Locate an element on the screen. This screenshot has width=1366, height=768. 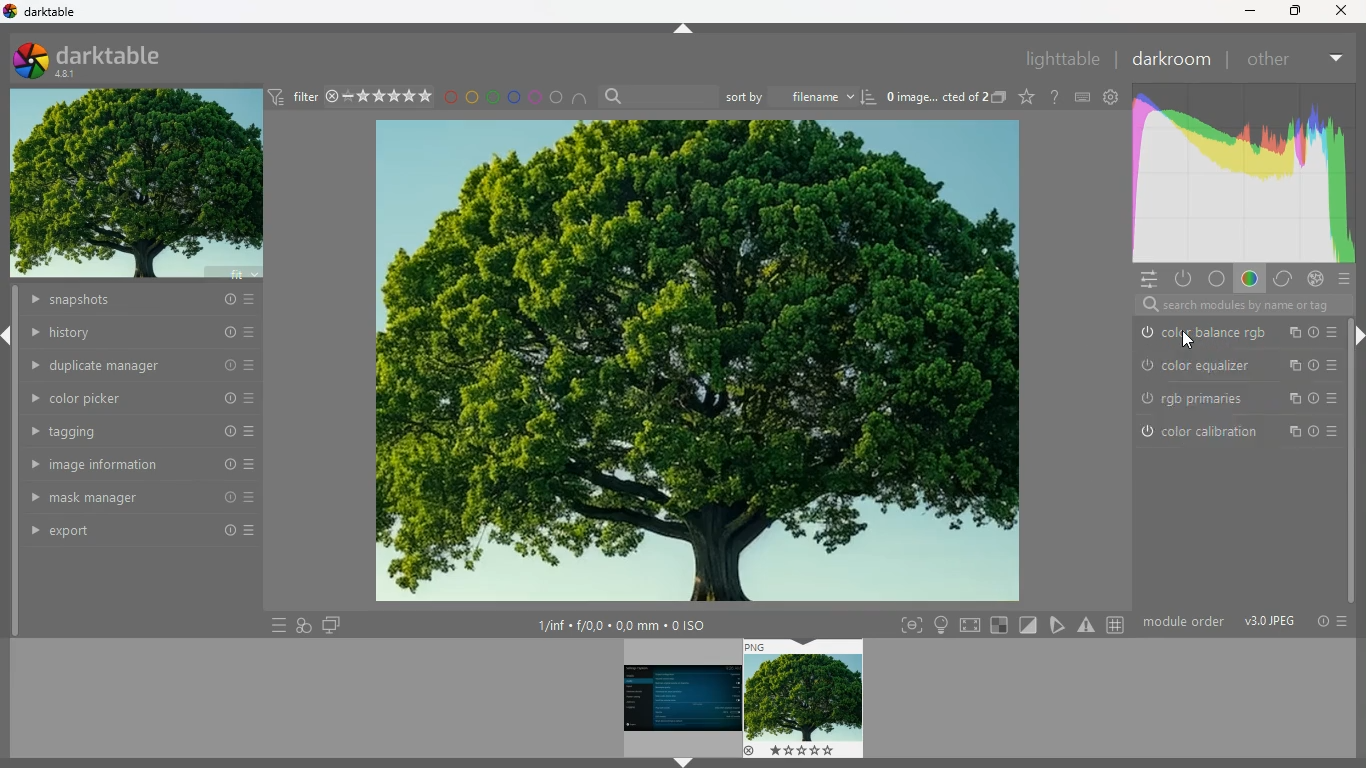
gradient is located at coordinates (1240, 174).